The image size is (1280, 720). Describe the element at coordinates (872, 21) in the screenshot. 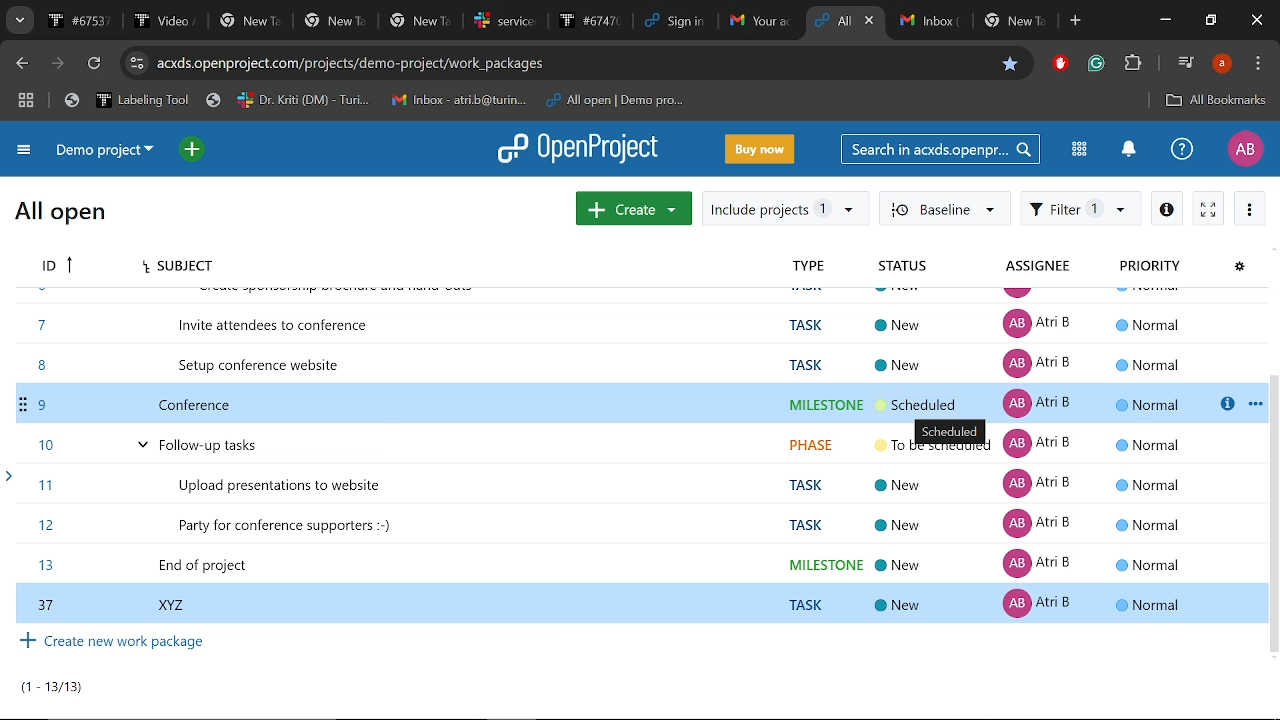

I see `close curretn tab` at that location.